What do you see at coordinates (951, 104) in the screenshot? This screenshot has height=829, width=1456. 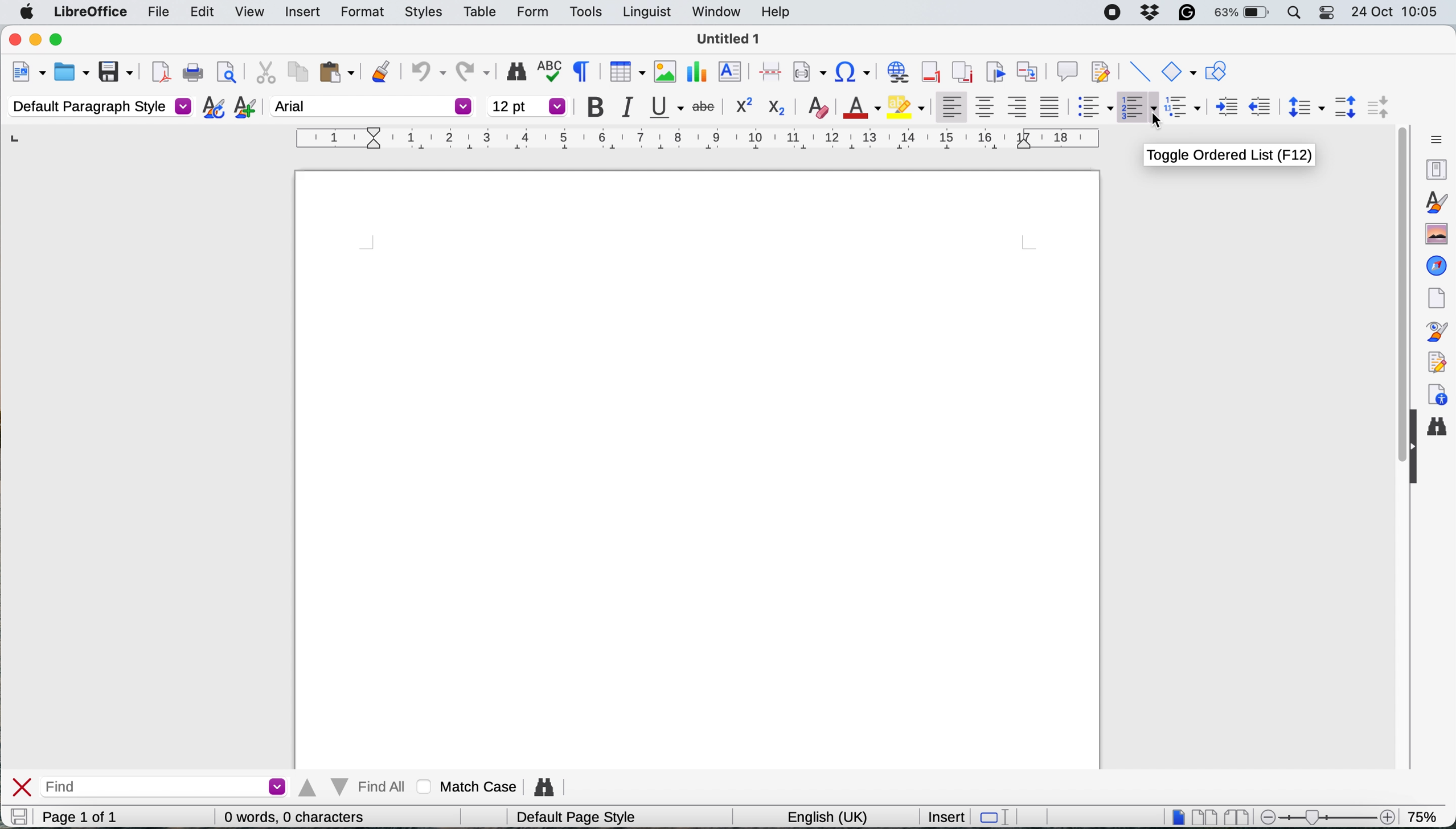 I see `align left` at bounding box center [951, 104].